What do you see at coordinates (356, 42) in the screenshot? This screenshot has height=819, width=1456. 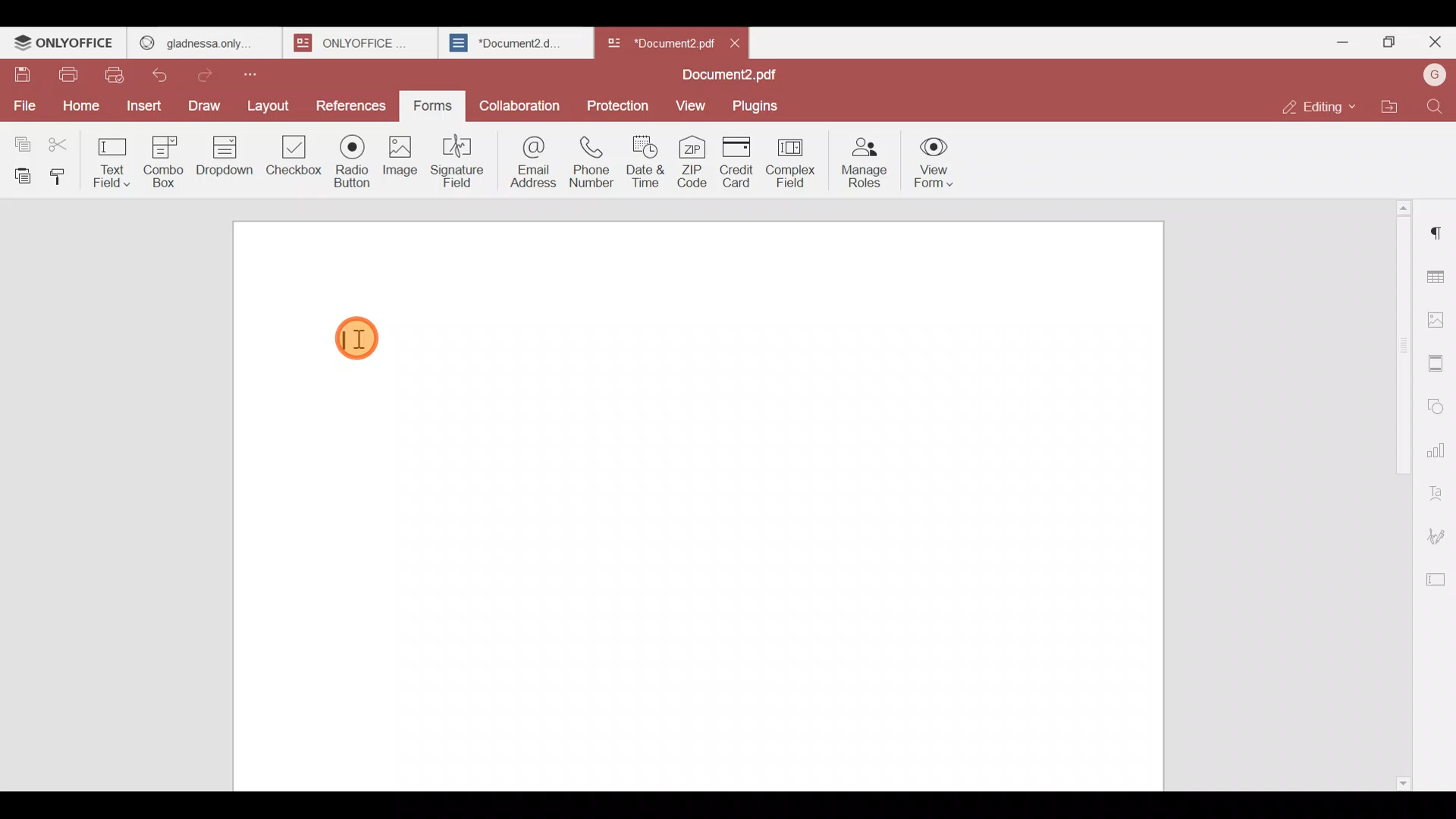 I see `ONLYOFFICE` at bounding box center [356, 42].